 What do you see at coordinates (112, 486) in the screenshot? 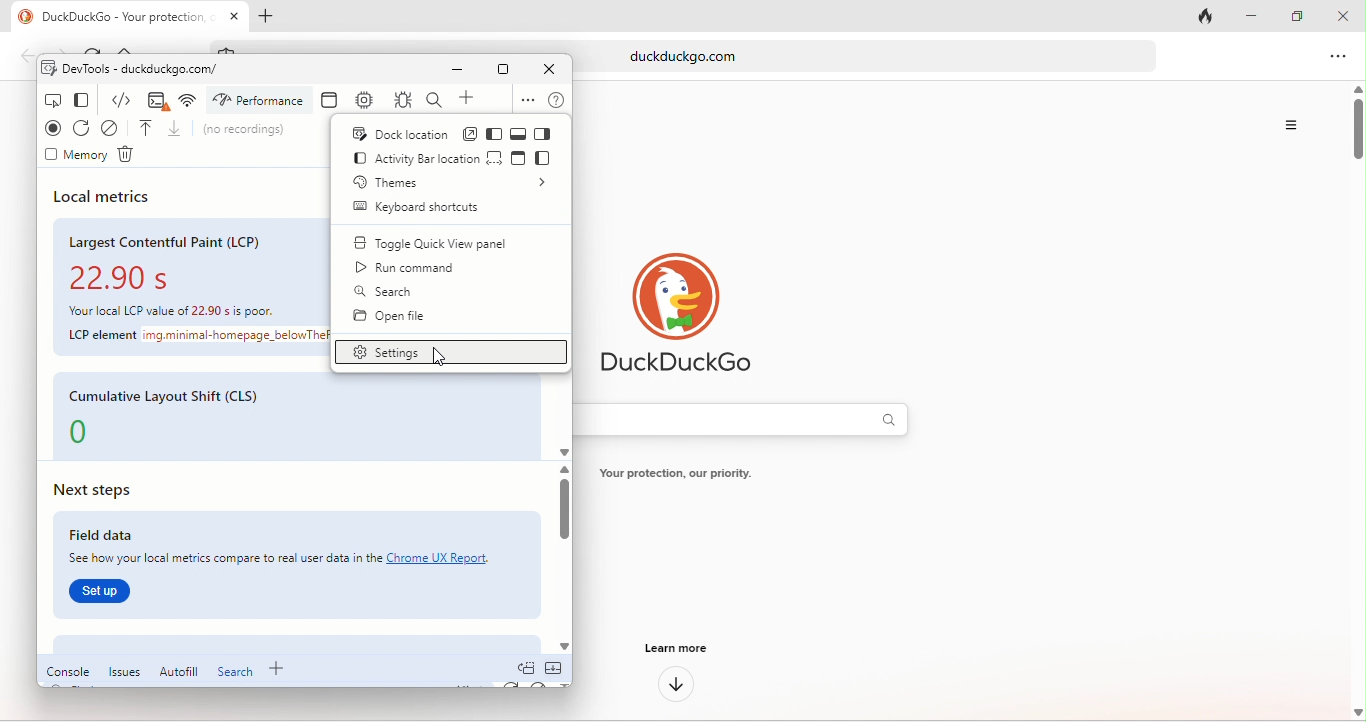
I see `next steps` at bounding box center [112, 486].